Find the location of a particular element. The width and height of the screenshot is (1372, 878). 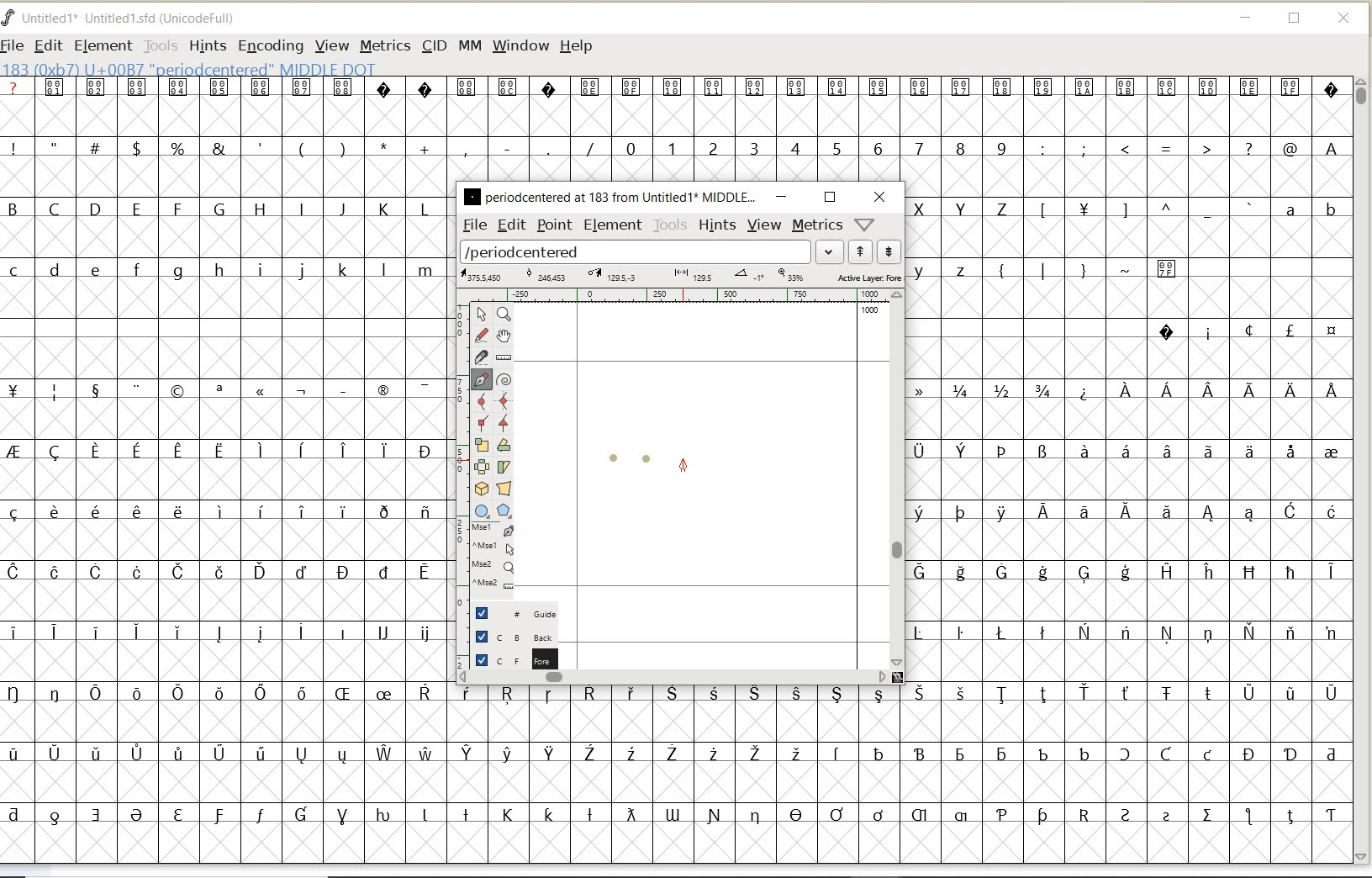

MINIMIZE is located at coordinates (1247, 20).